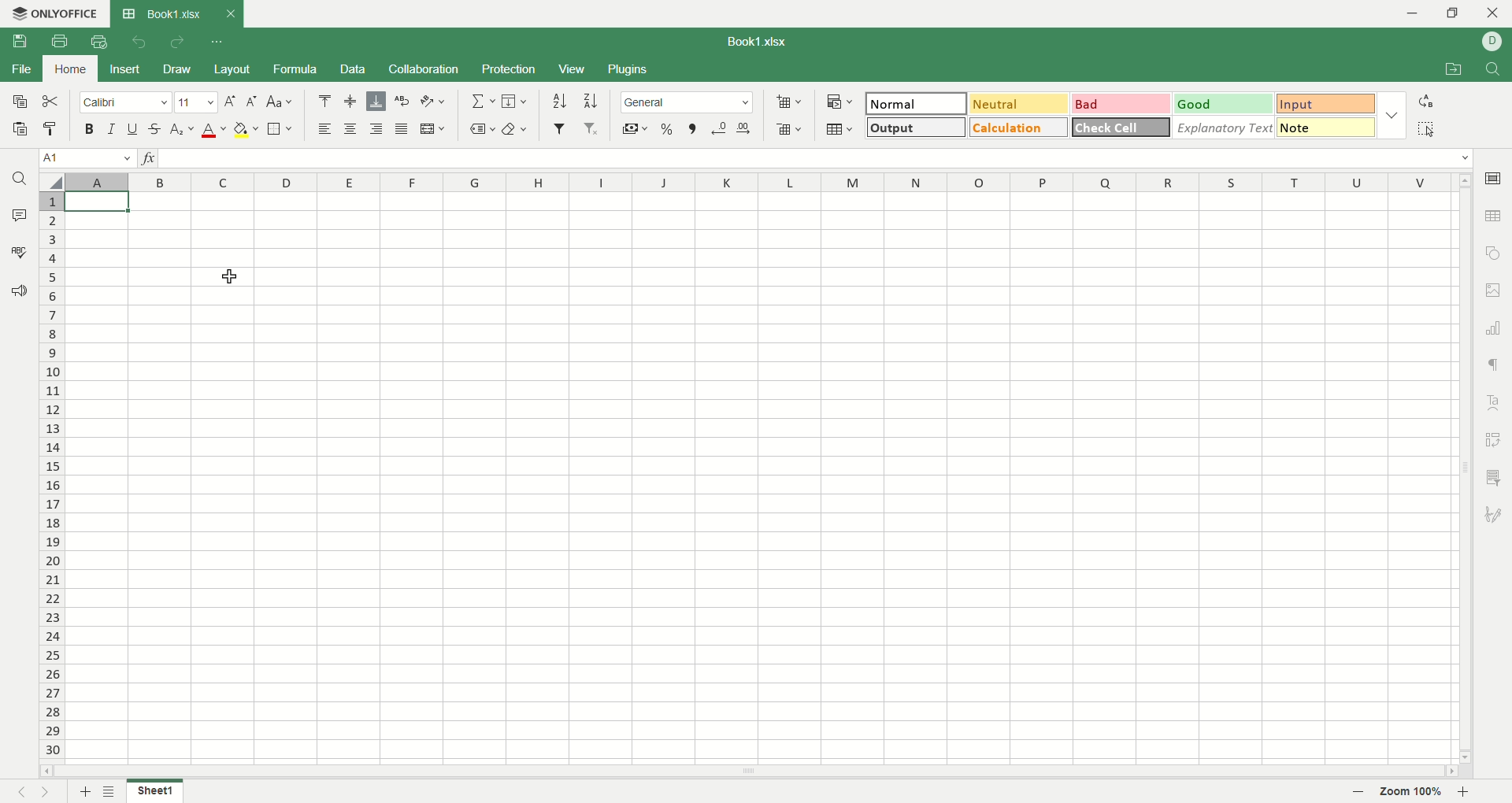 Image resolution: width=1512 pixels, height=803 pixels. What do you see at coordinates (352, 69) in the screenshot?
I see `data` at bounding box center [352, 69].